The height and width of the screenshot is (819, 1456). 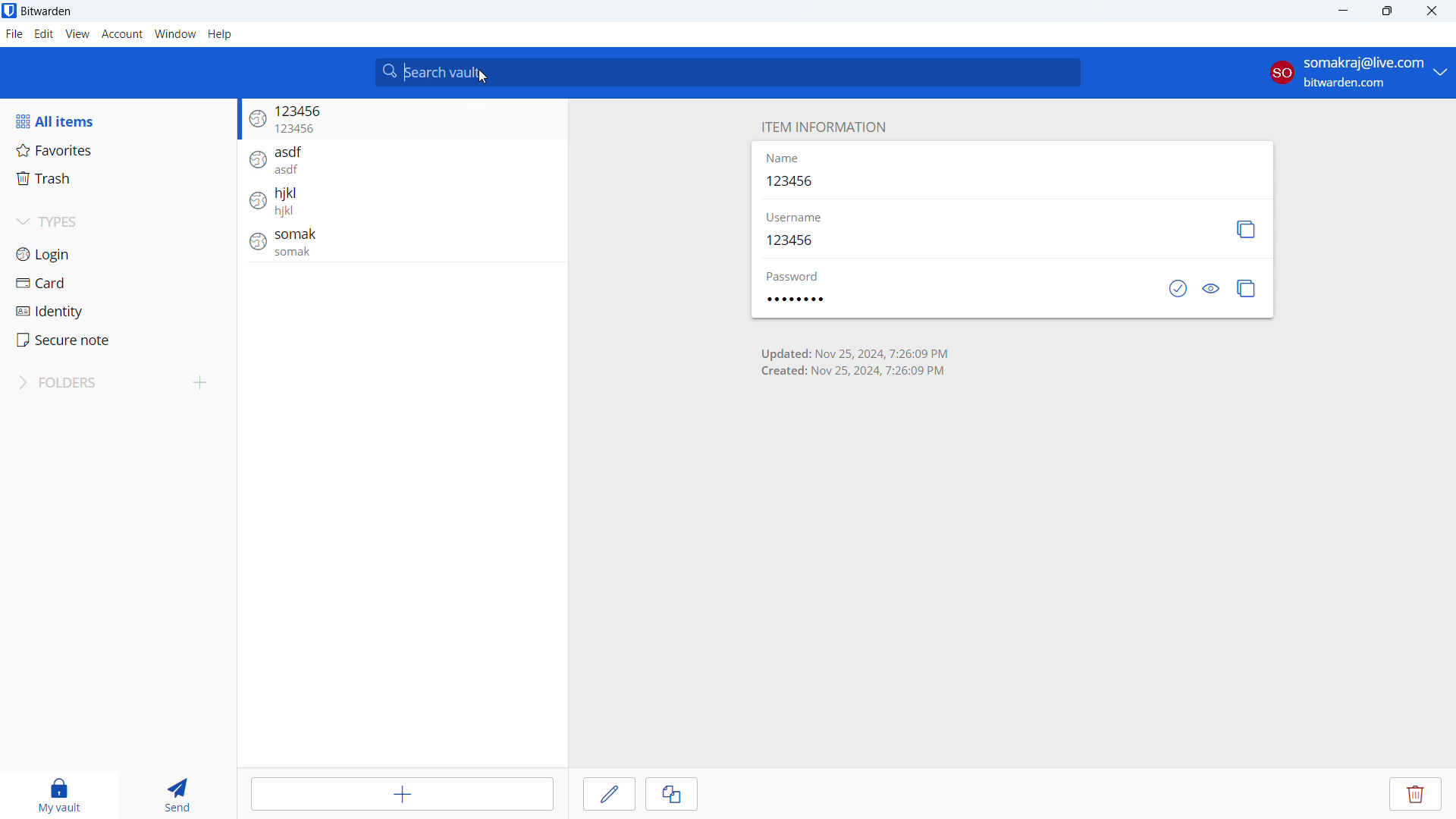 What do you see at coordinates (124, 35) in the screenshot?
I see `account` at bounding box center [124, 35].